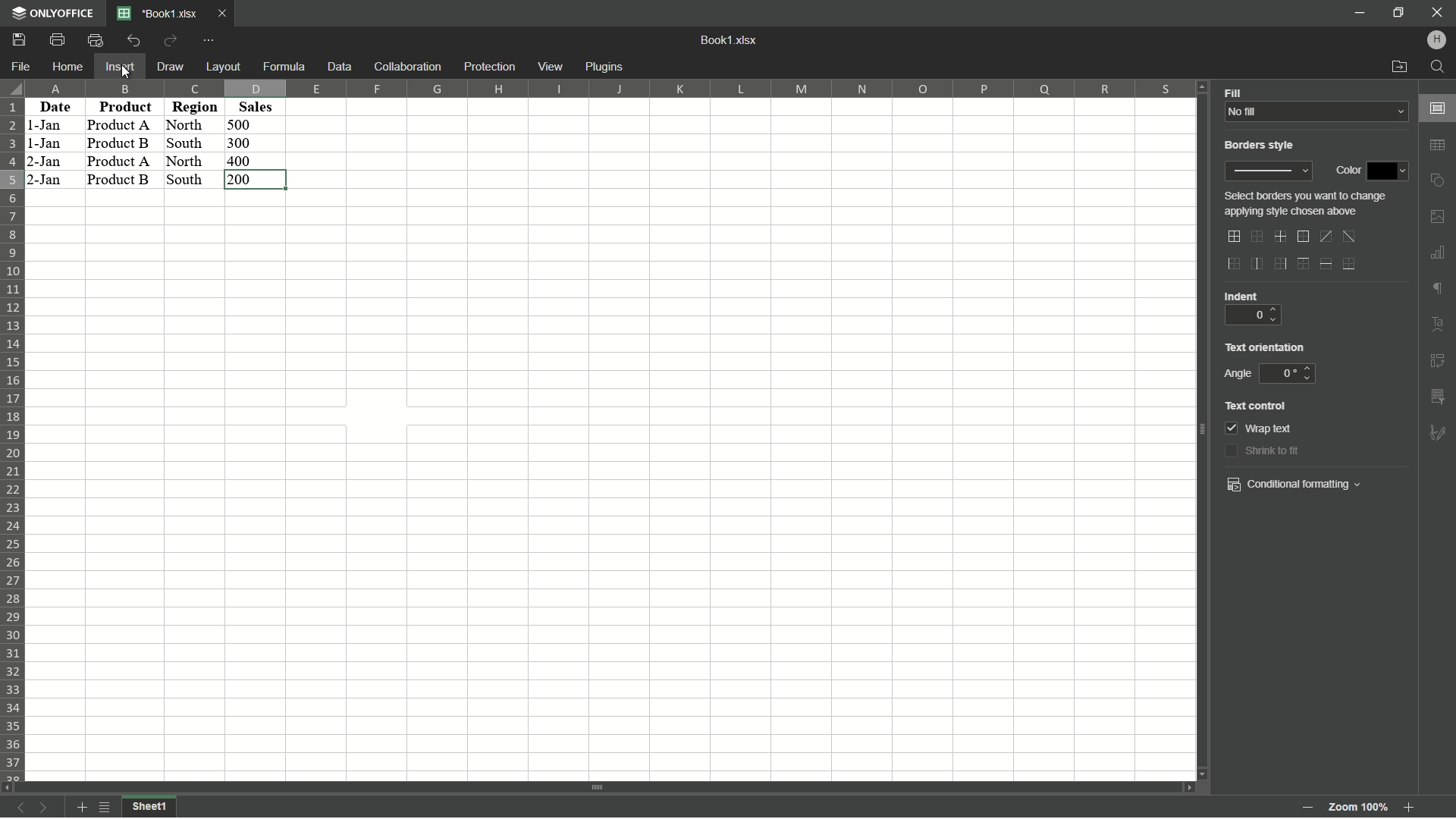 This screenshot has width=1456, height=819. Describe the element at coordinates (1256, 263) in the screenshot. I see `inner vertical line` at that location.